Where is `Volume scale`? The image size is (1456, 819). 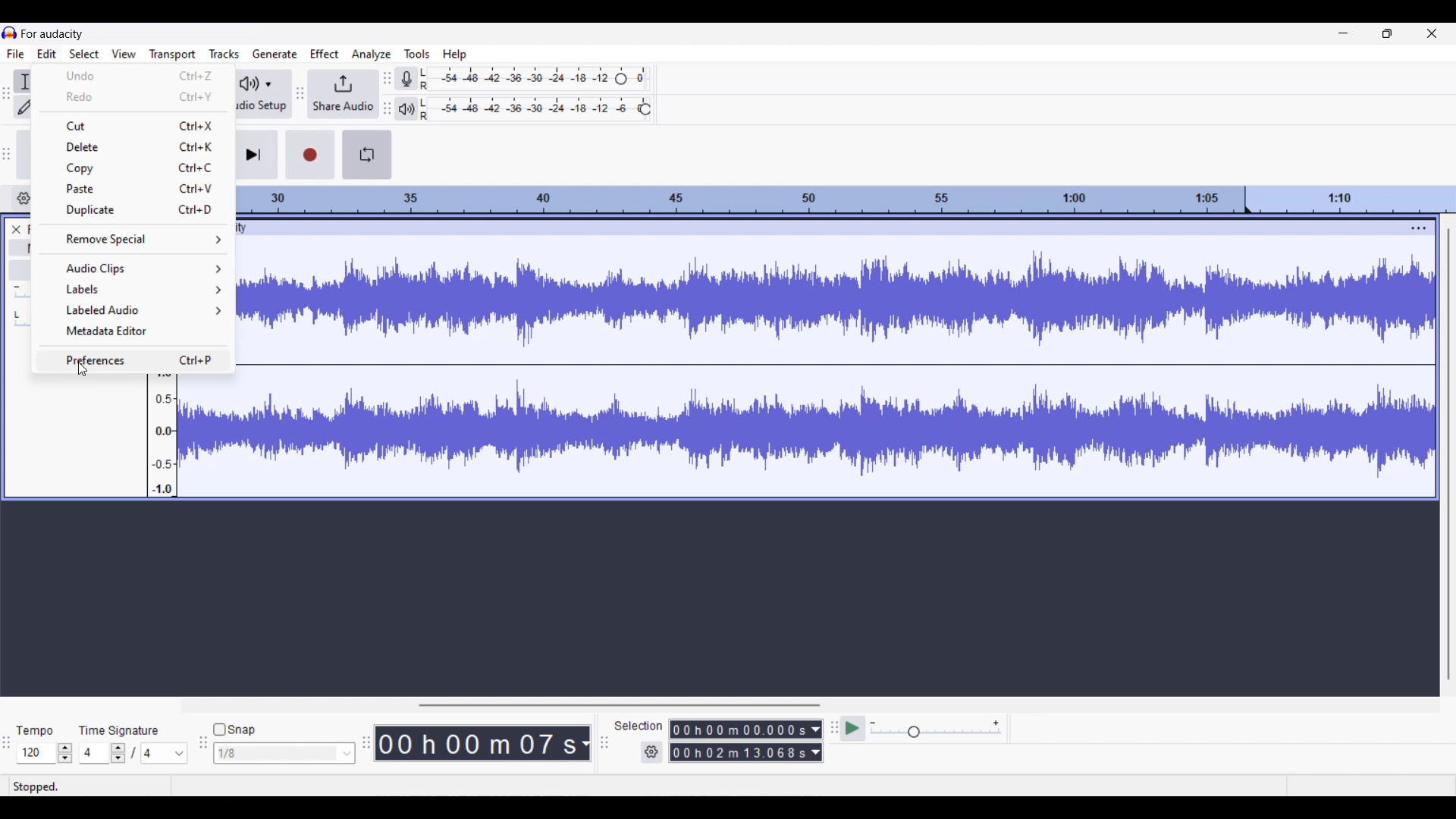
Volume scale is located at coordinates (24, 293).